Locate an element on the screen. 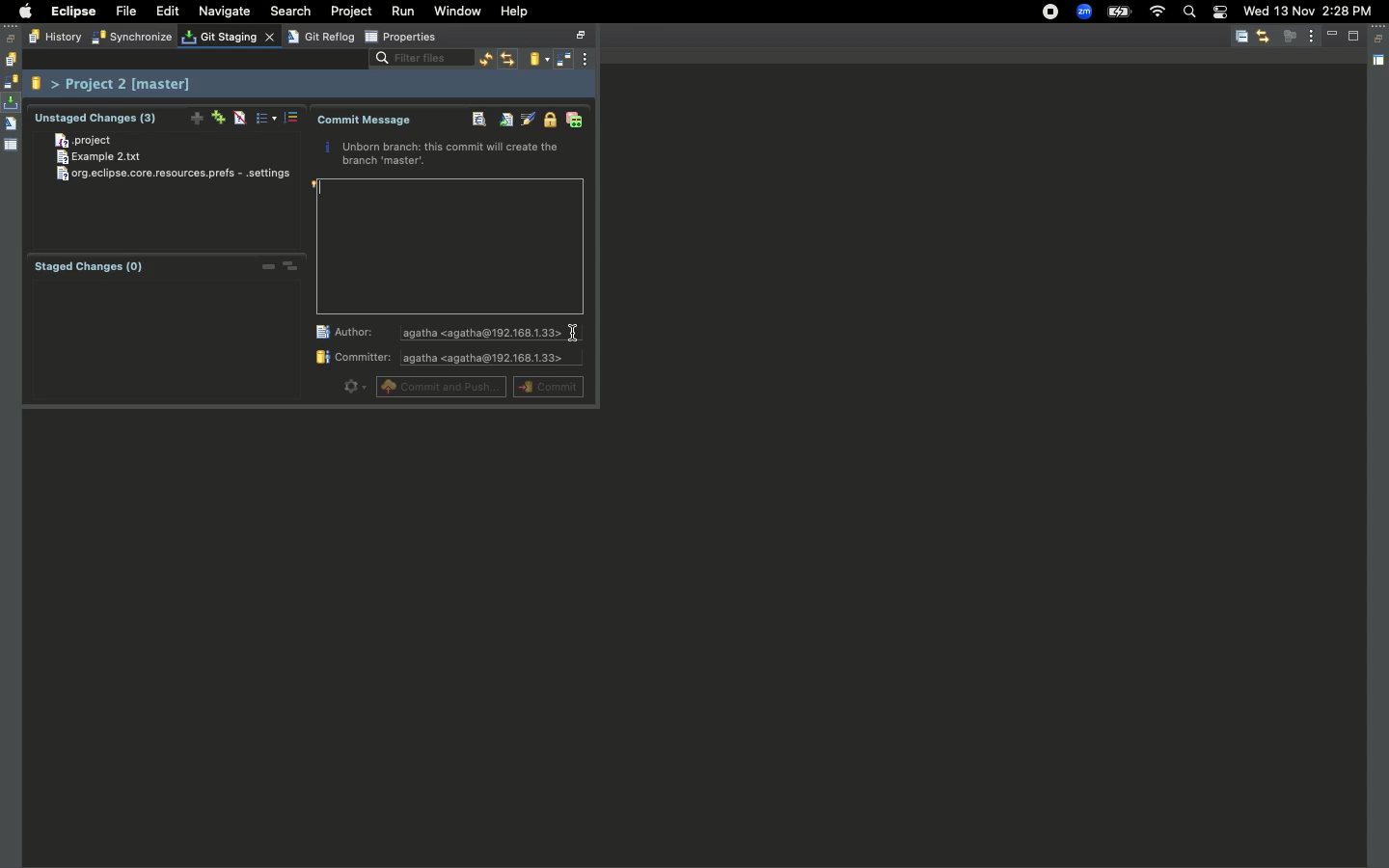  History is located at coordinates (53, 38).